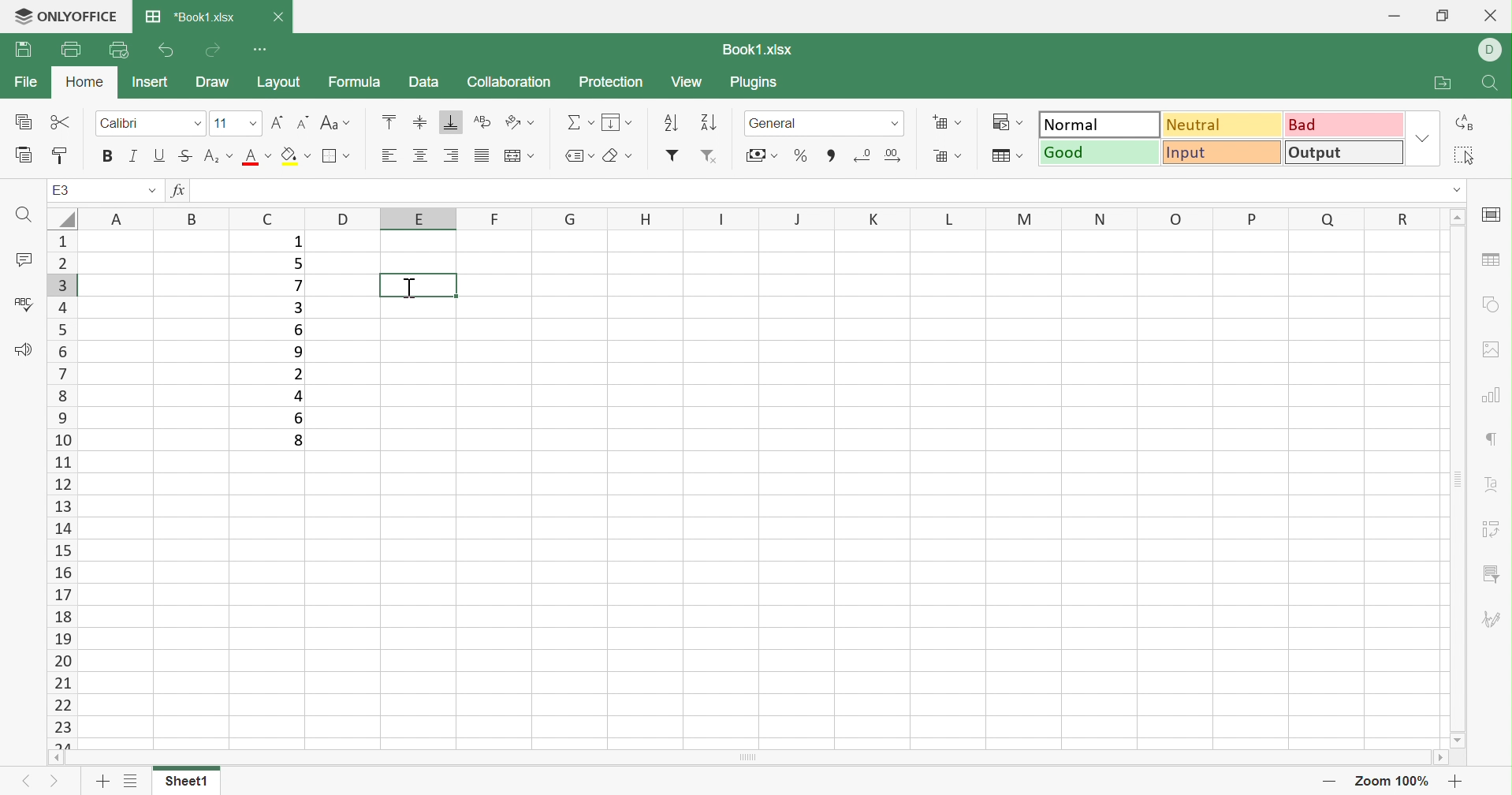 The height and width of the screenshot is (795, 1512). Describe the element at coordinates (776, 125) in the screenshot. I see `General` at that location.